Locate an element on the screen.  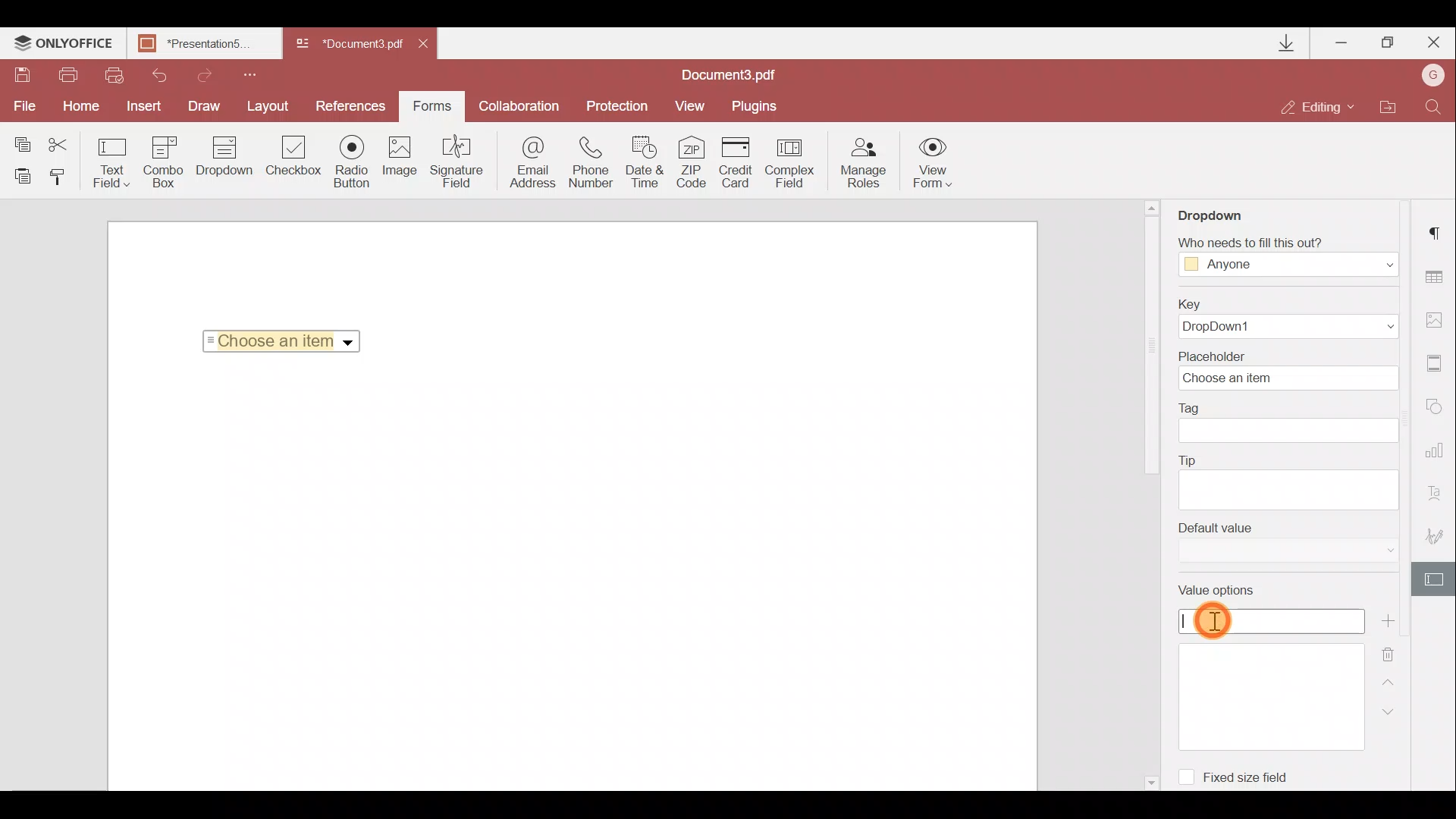
Complex field is located at coordinates (792, 162).